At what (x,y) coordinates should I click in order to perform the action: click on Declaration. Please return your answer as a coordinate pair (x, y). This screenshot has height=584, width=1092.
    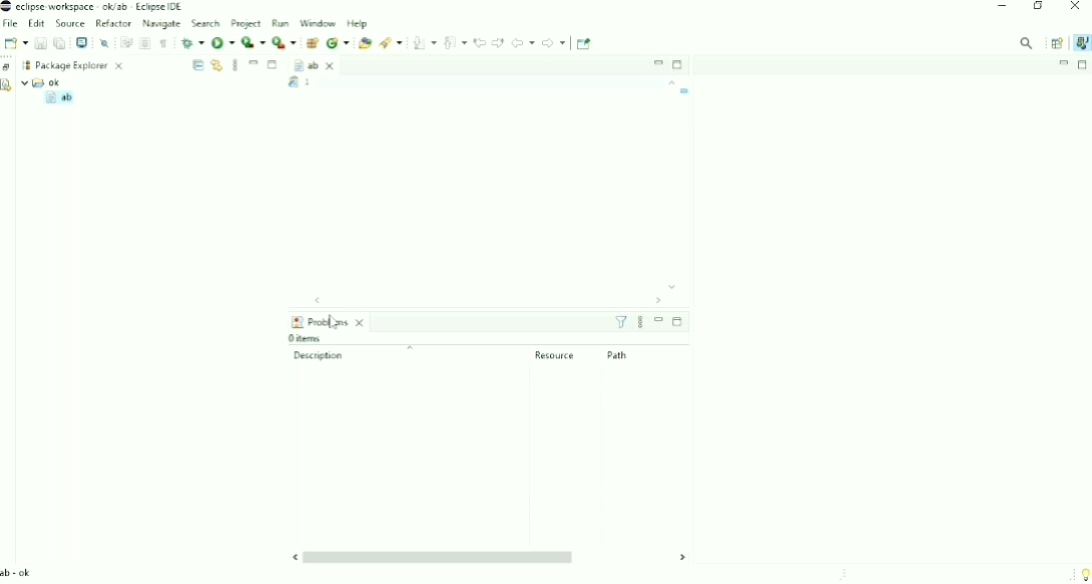
    Looking at the image, I should click on (9, 87).